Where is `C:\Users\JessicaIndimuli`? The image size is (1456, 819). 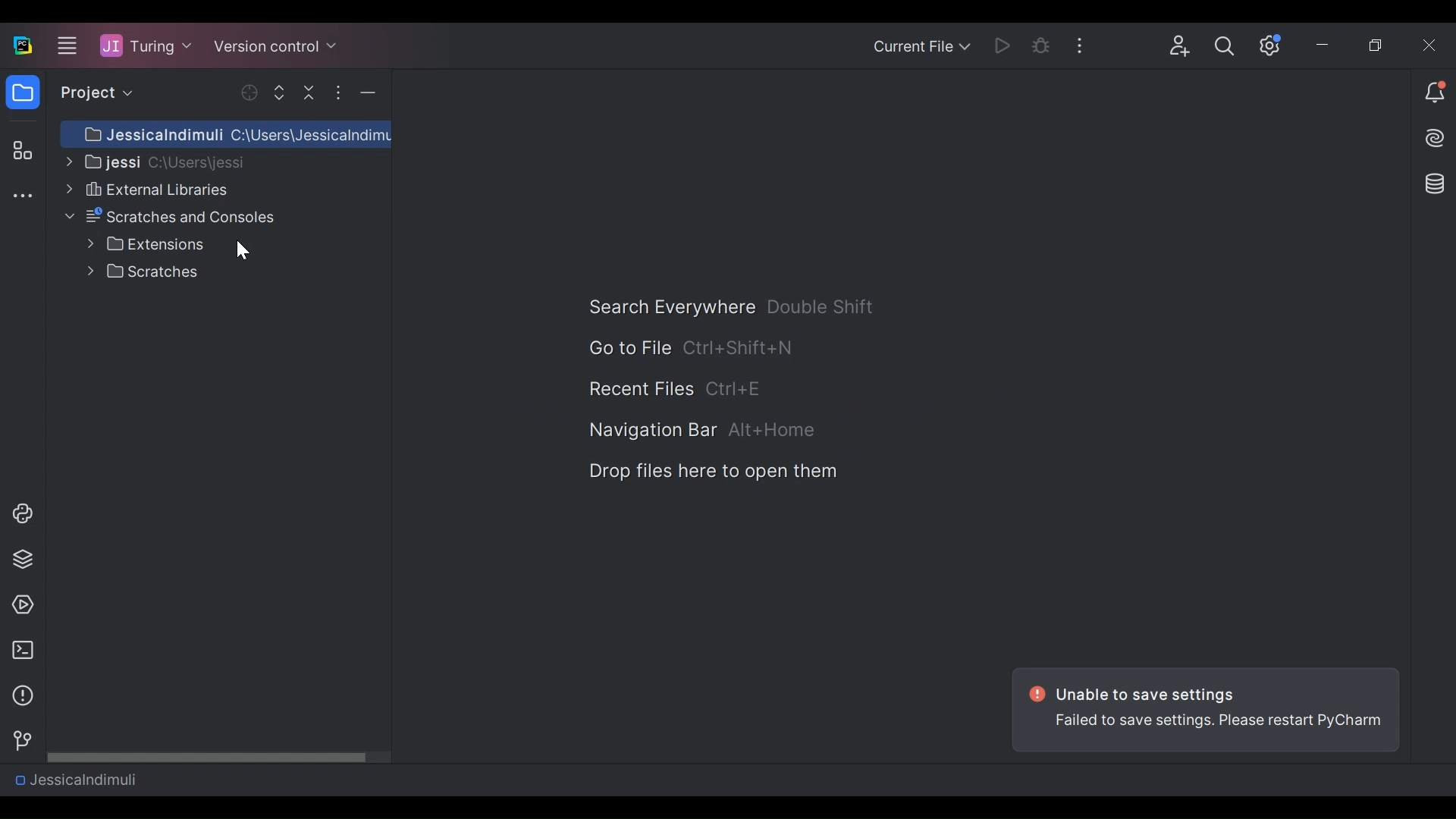 C:\Users\JessicaIndimuli is located at coordinates (232, 133).